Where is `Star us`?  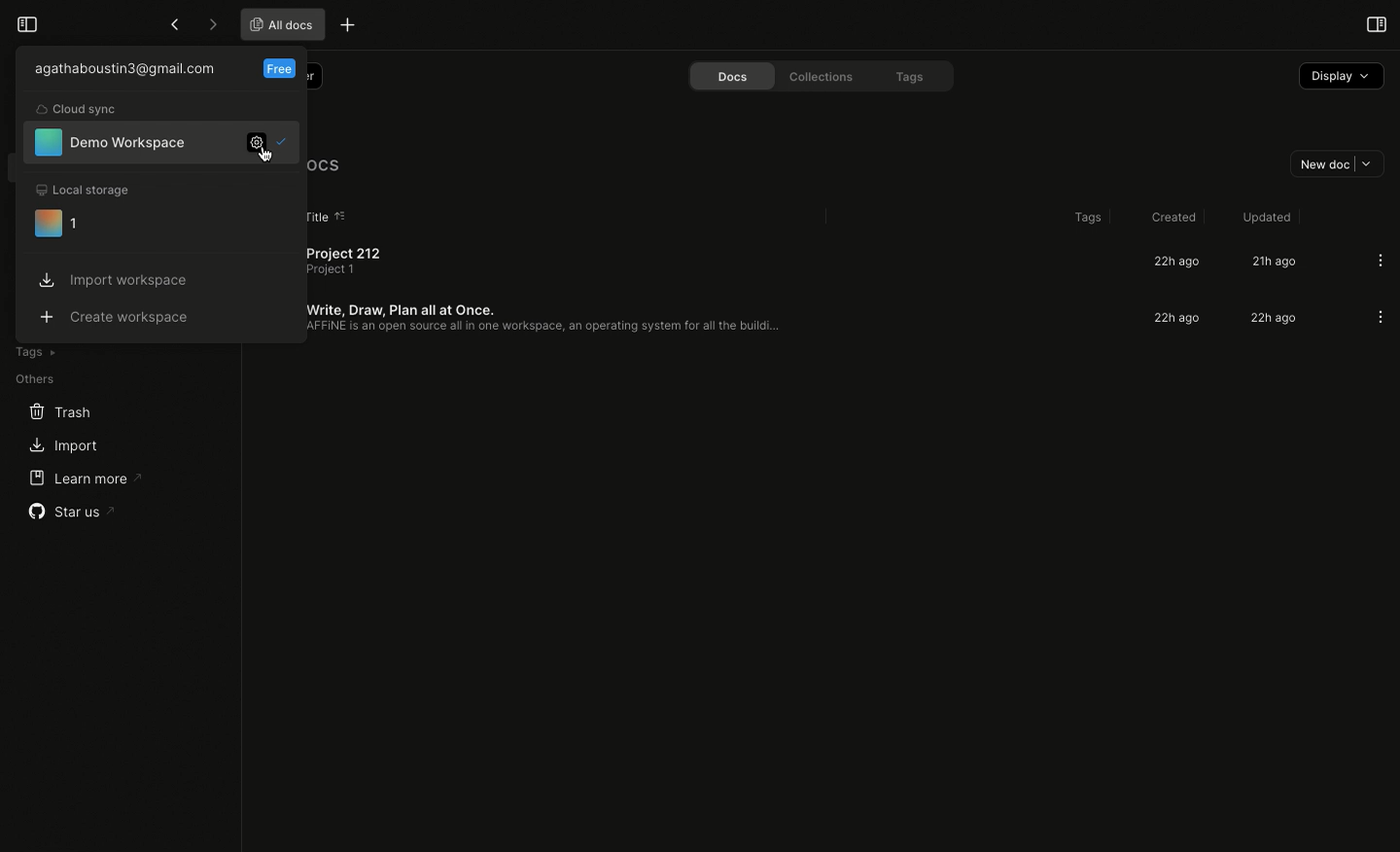
Star us is located at coordinates (74, 512).